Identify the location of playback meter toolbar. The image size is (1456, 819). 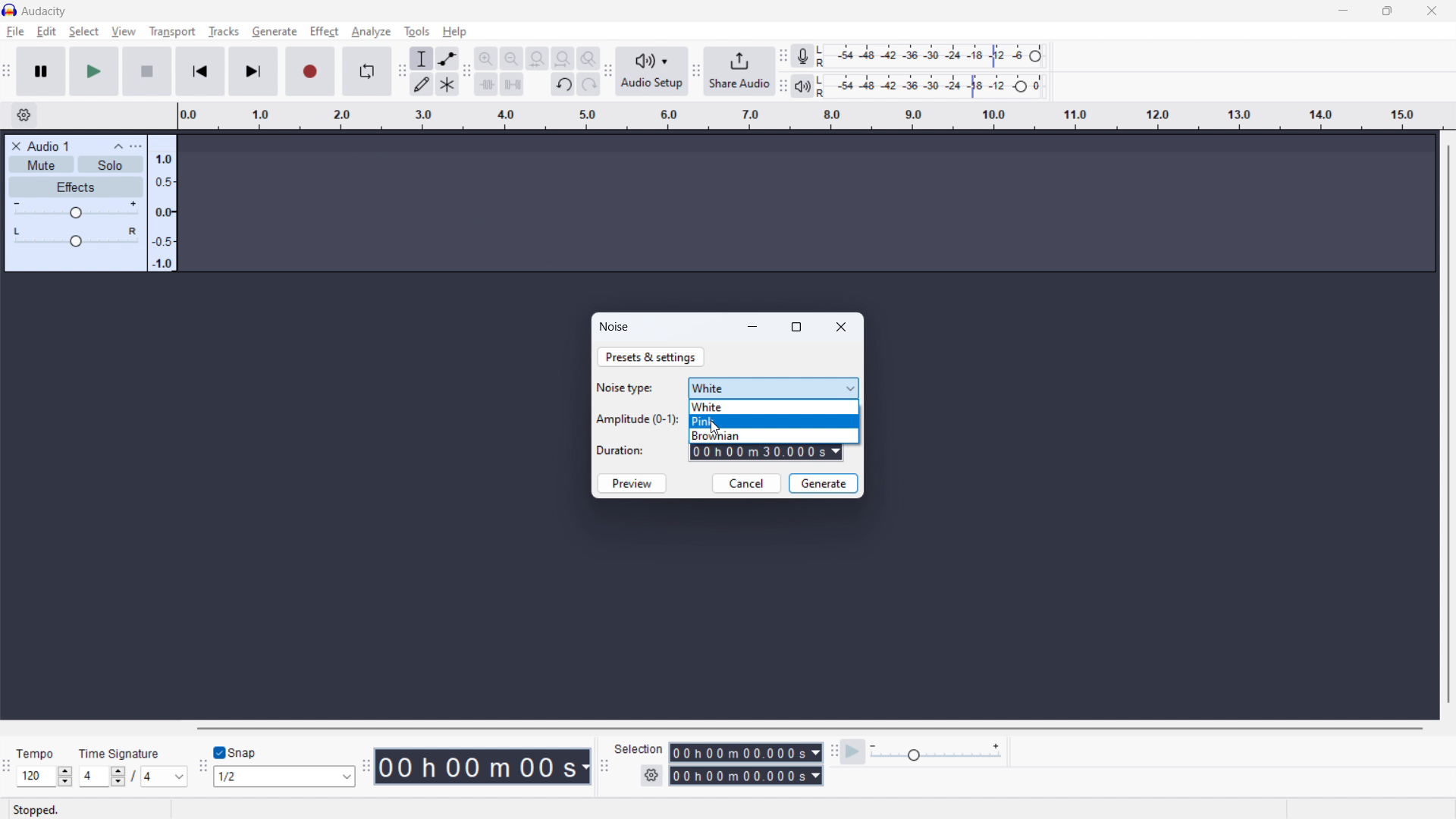
(782, 86).